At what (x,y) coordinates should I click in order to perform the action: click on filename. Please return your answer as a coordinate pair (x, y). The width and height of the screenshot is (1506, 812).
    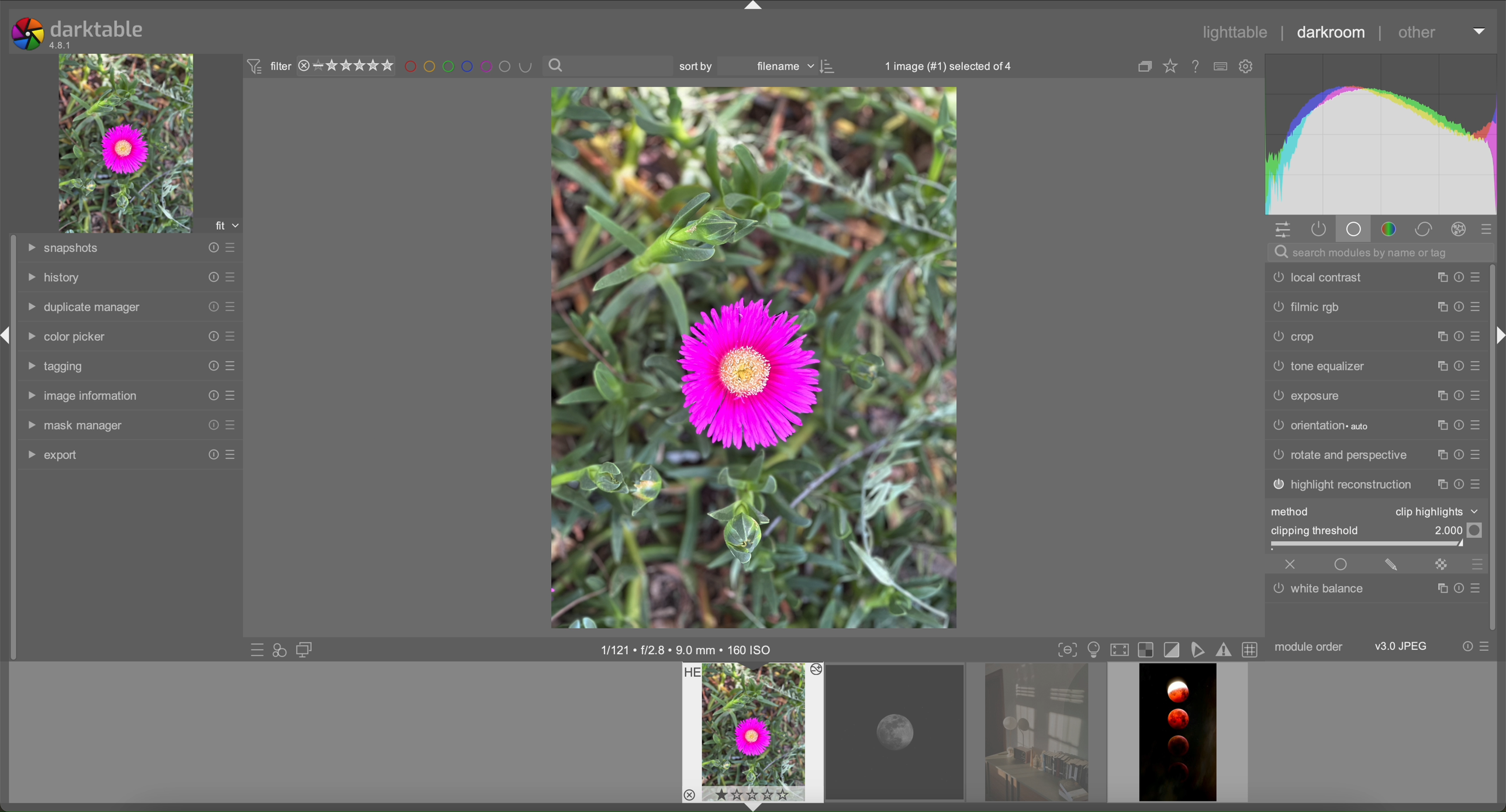
    Looking at the image, I should click on (783, 67).